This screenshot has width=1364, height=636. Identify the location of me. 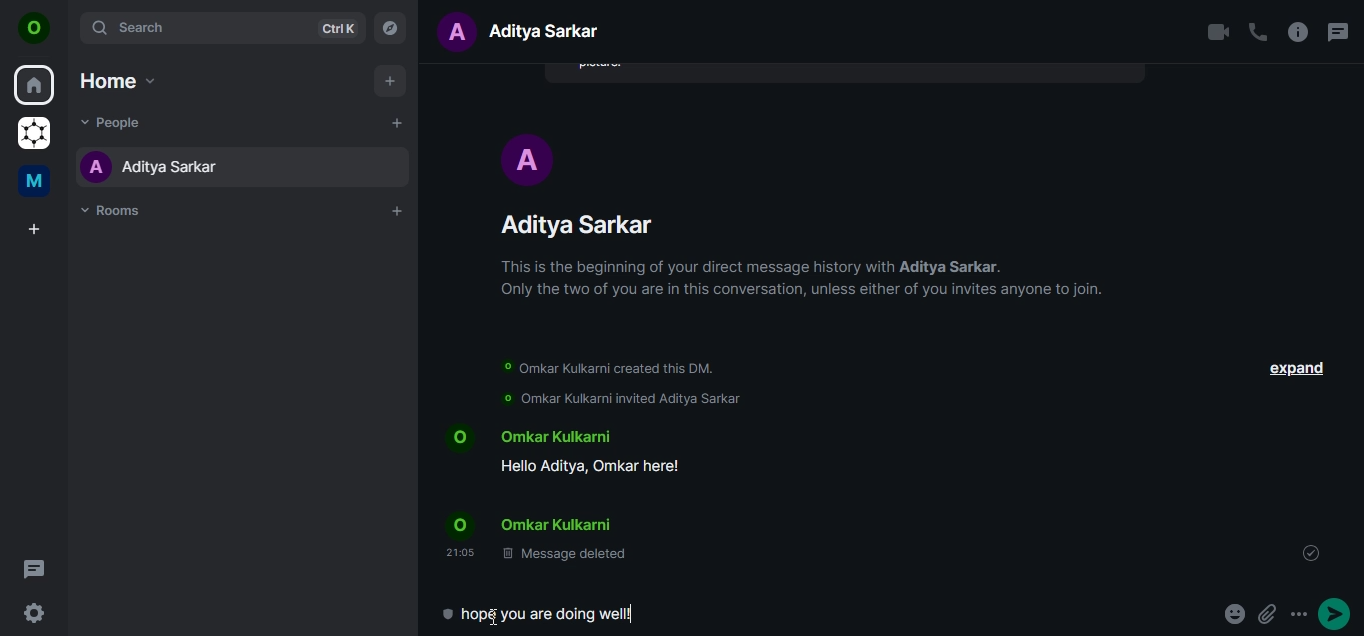
(33, 181).